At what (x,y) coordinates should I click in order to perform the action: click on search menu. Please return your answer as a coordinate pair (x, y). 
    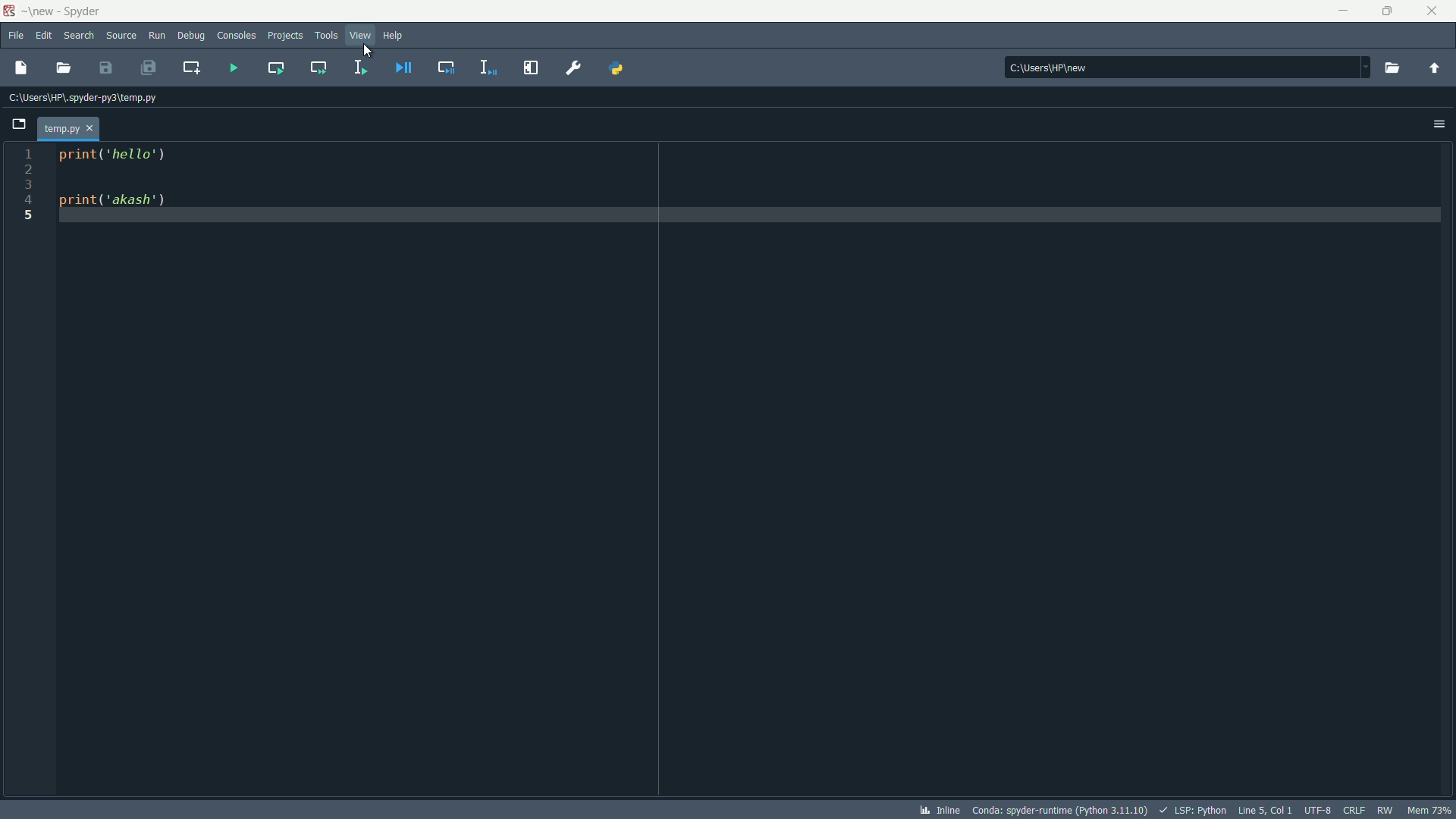
    Looking at the image, I should click on (81, 36).